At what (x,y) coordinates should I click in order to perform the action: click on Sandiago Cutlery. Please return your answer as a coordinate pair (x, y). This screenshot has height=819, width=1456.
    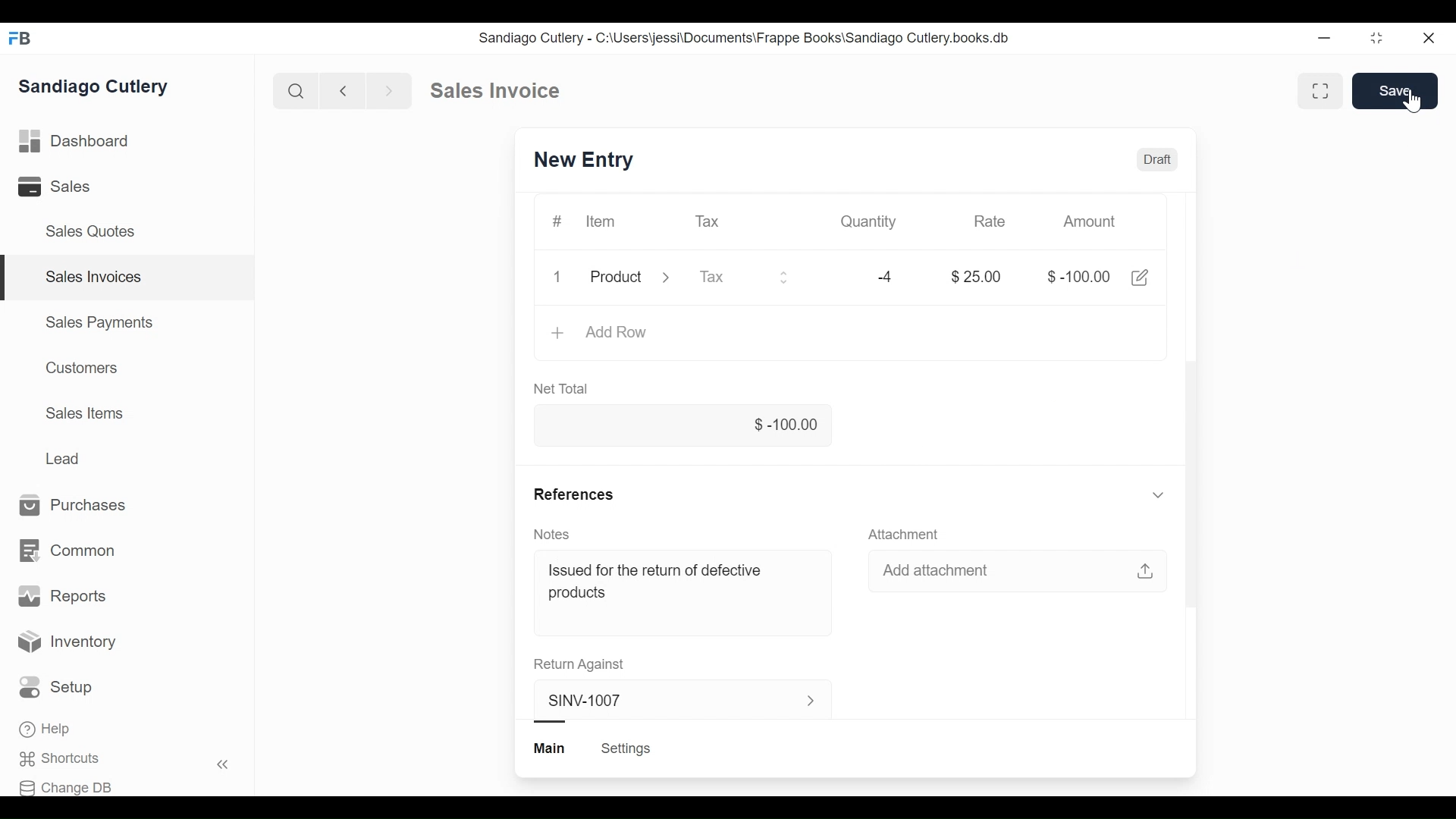
    Looking at the image, I should click on (94, 85).